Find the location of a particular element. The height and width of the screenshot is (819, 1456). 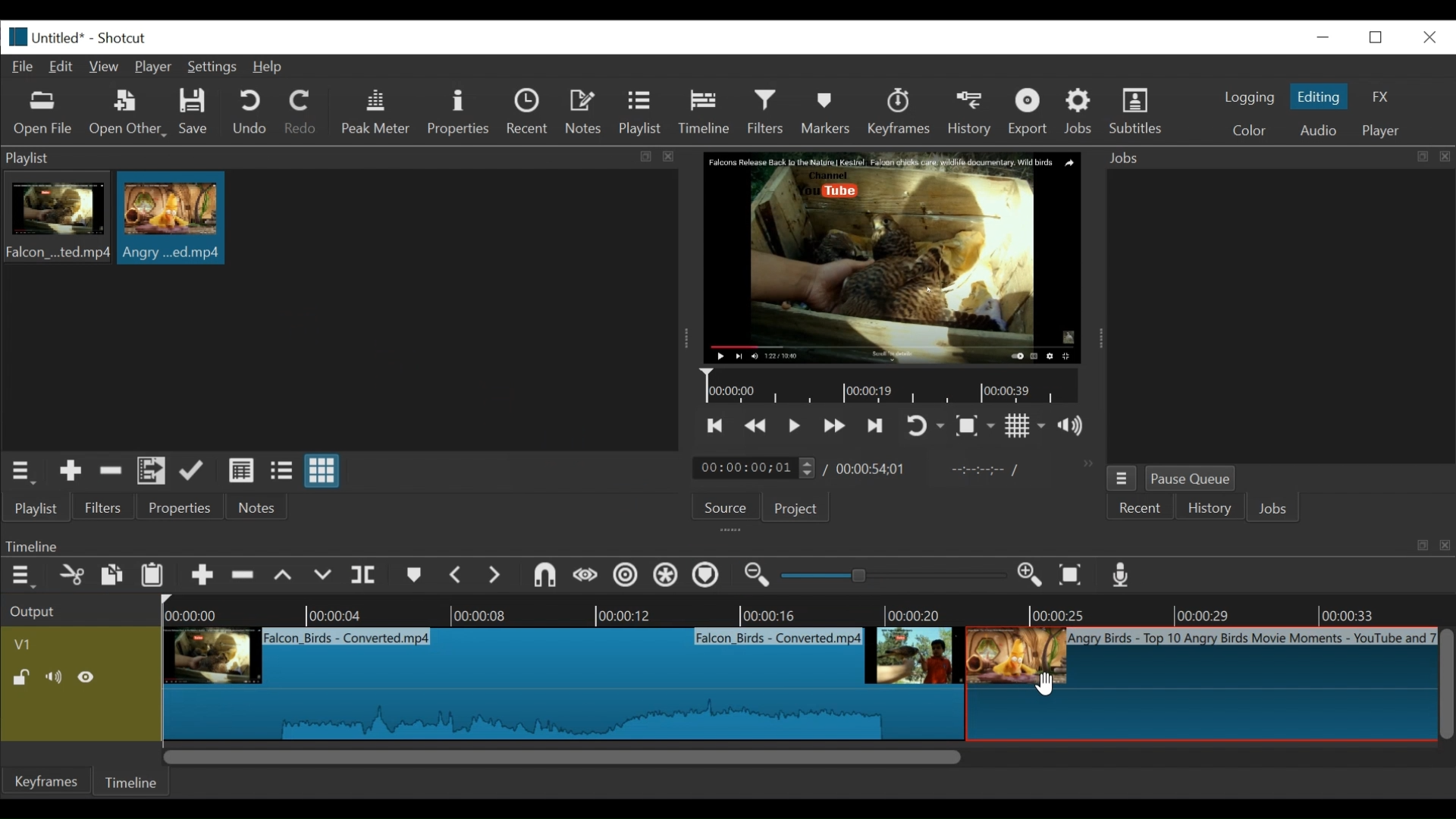

Timeline is located at coordinates (708, 109).